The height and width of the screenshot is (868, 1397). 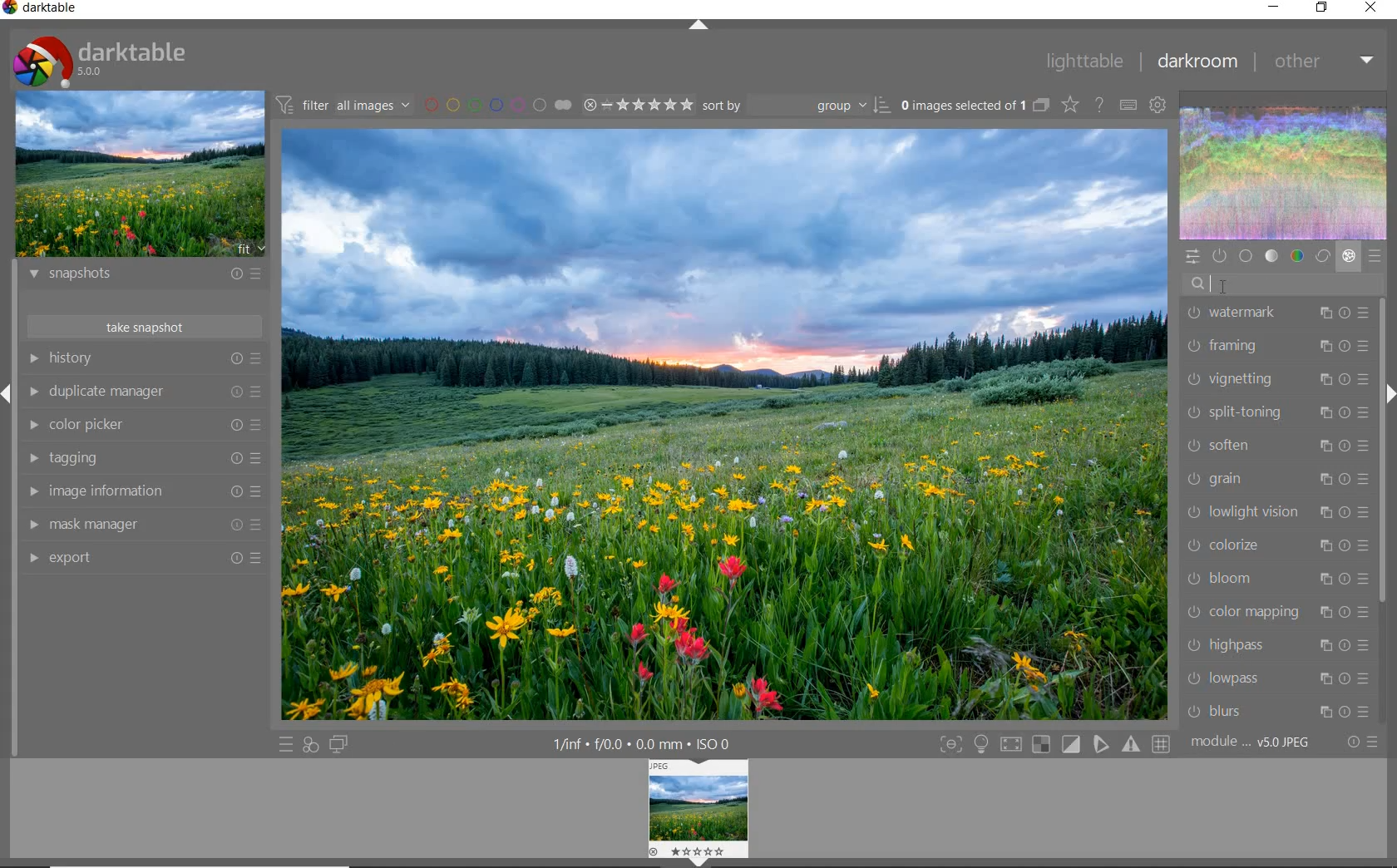 What do you see at coordinates (1275, 481) in the screenshot?
I see `grain` at bounding box center [1275, 481].